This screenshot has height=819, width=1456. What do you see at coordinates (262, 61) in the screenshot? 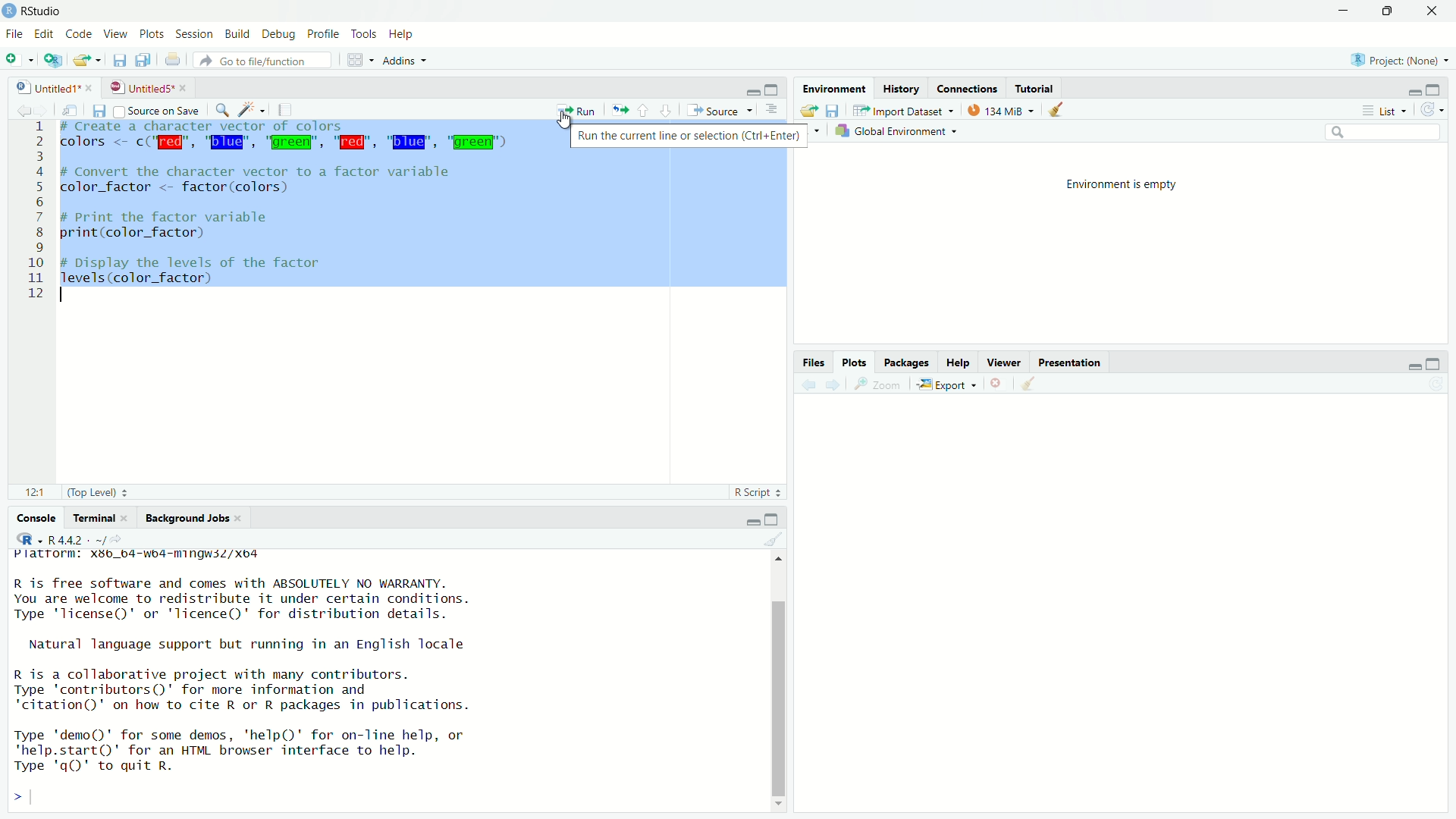
I see `go to file/function` at bounding box center [262, 61].